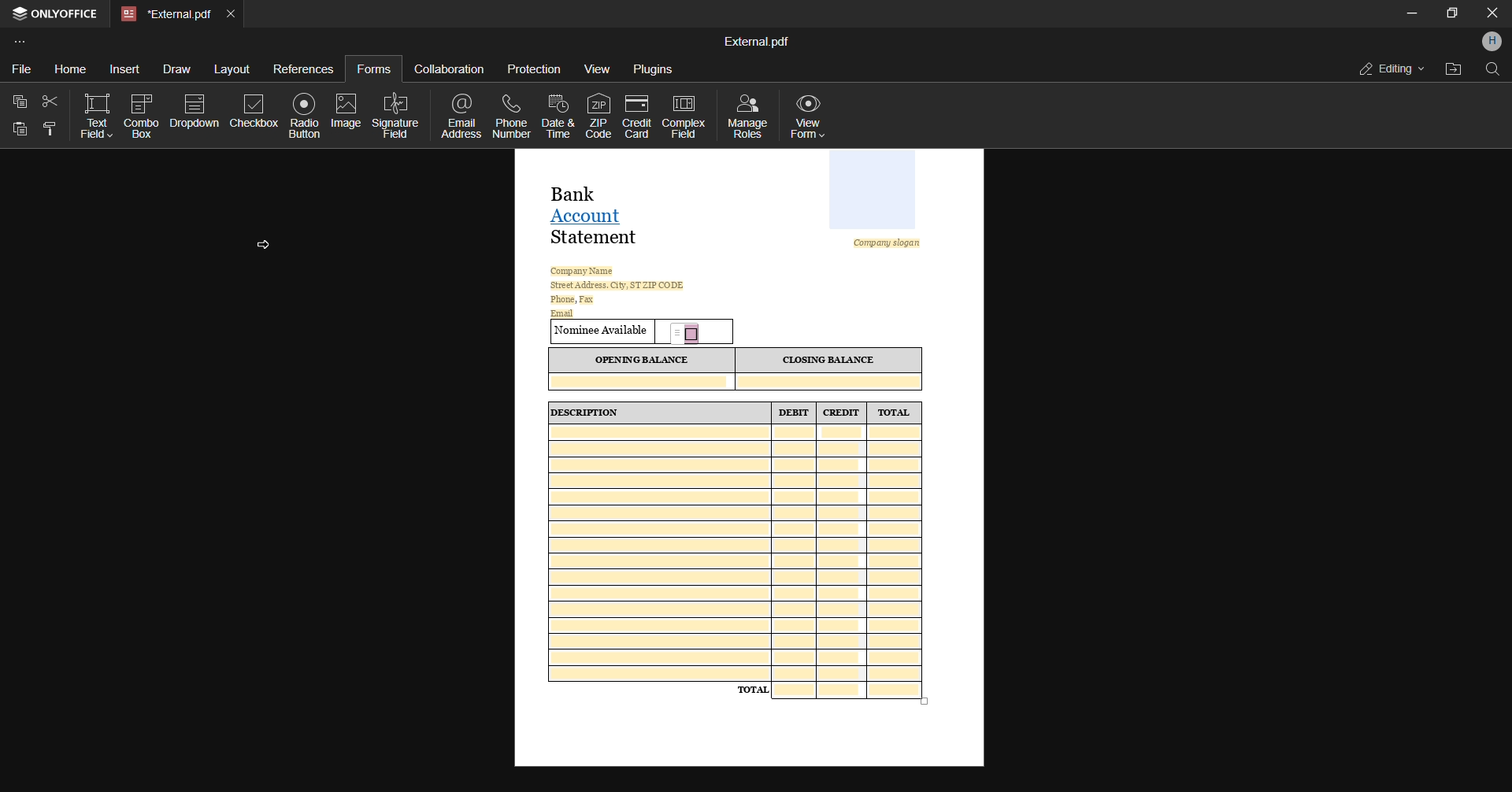 The image size is (1512, 792). What do you see at coordinates (747, 114) in the screenshot?
I see `manage roles` at bounding box center [747, 114].